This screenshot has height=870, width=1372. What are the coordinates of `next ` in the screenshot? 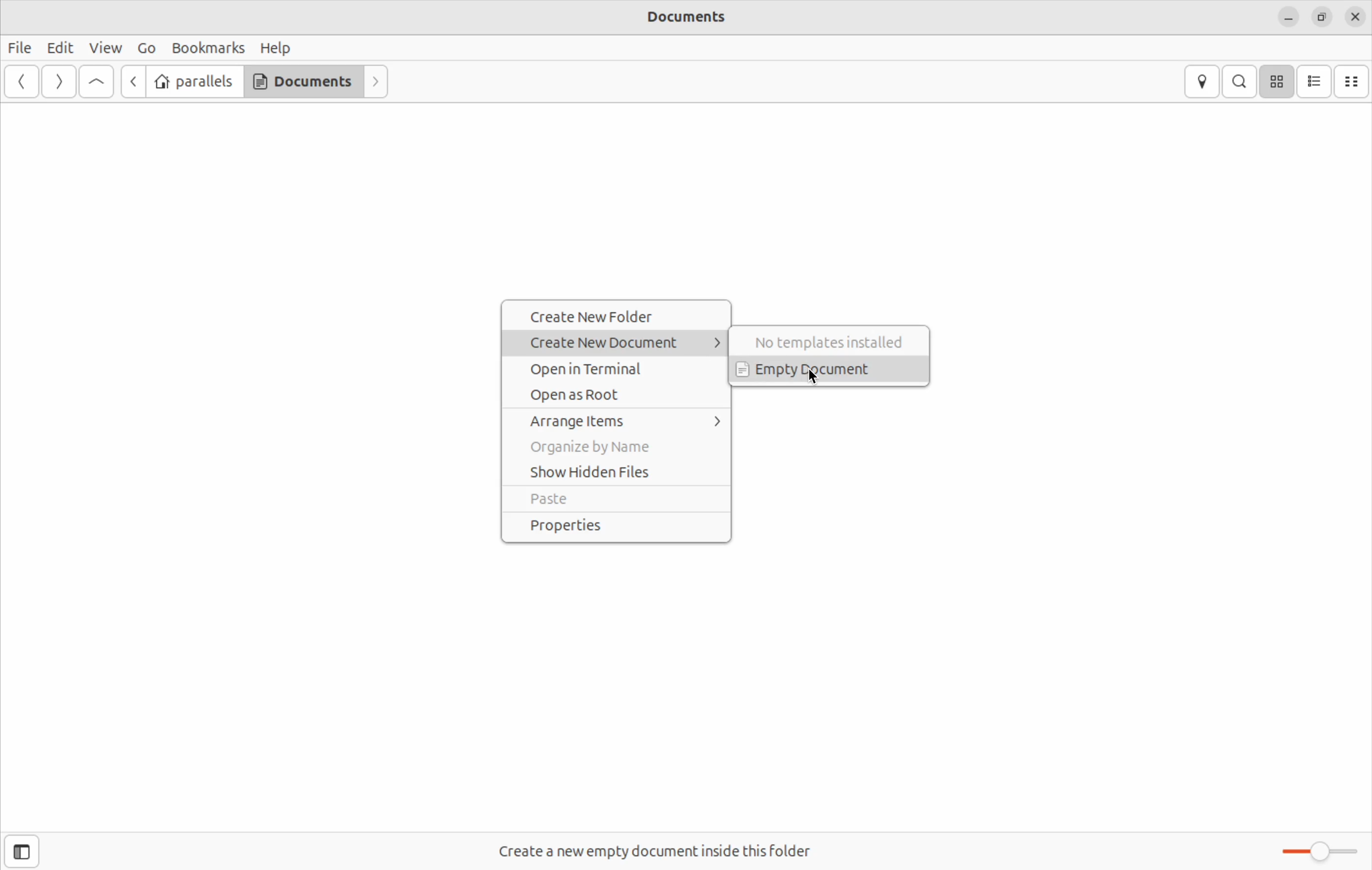 It's located at (378, 82).